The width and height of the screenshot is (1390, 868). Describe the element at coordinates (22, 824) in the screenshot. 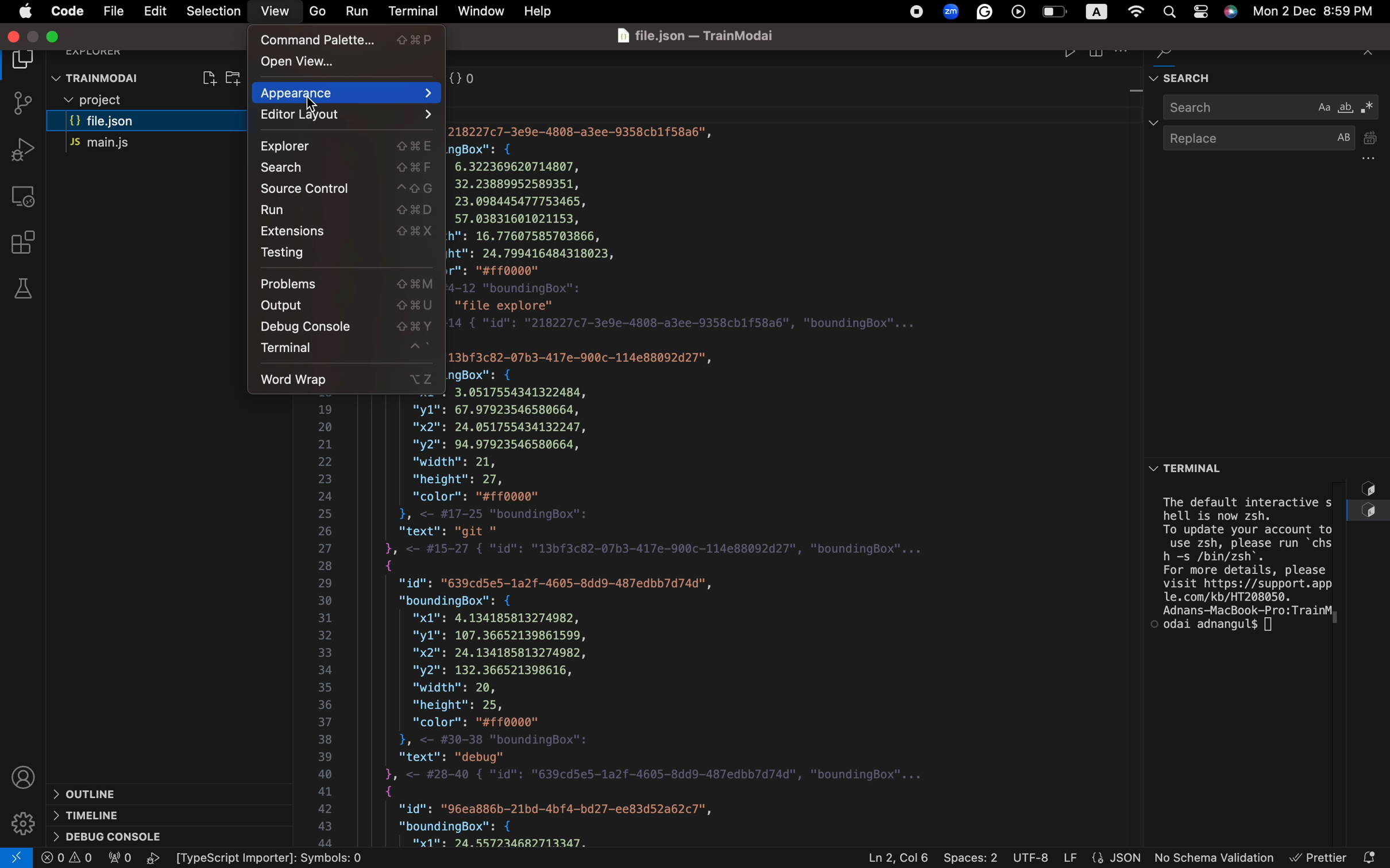

I see `Settings` at that location.